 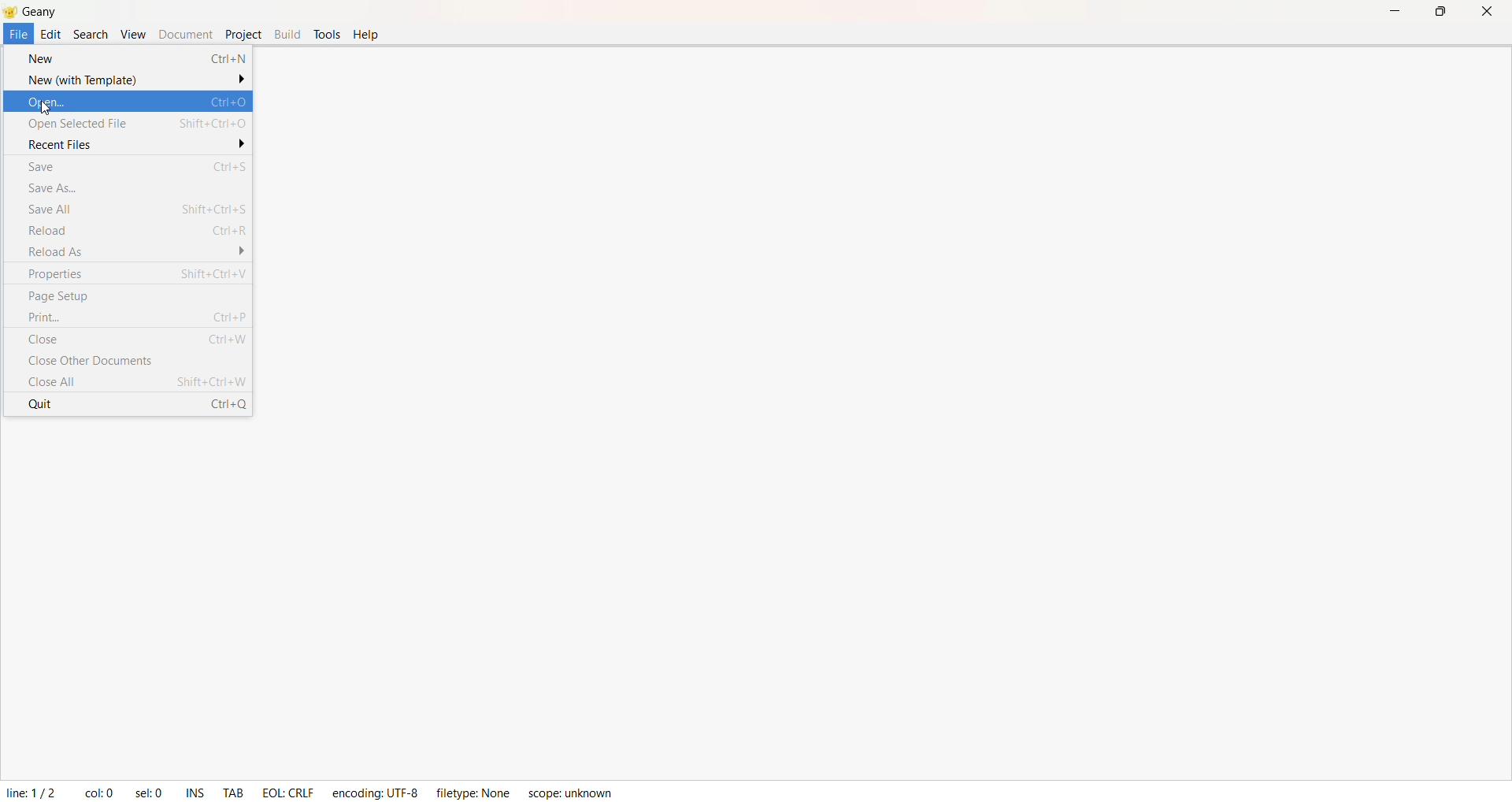 I want to click on Save, so click(x=139, y=166).